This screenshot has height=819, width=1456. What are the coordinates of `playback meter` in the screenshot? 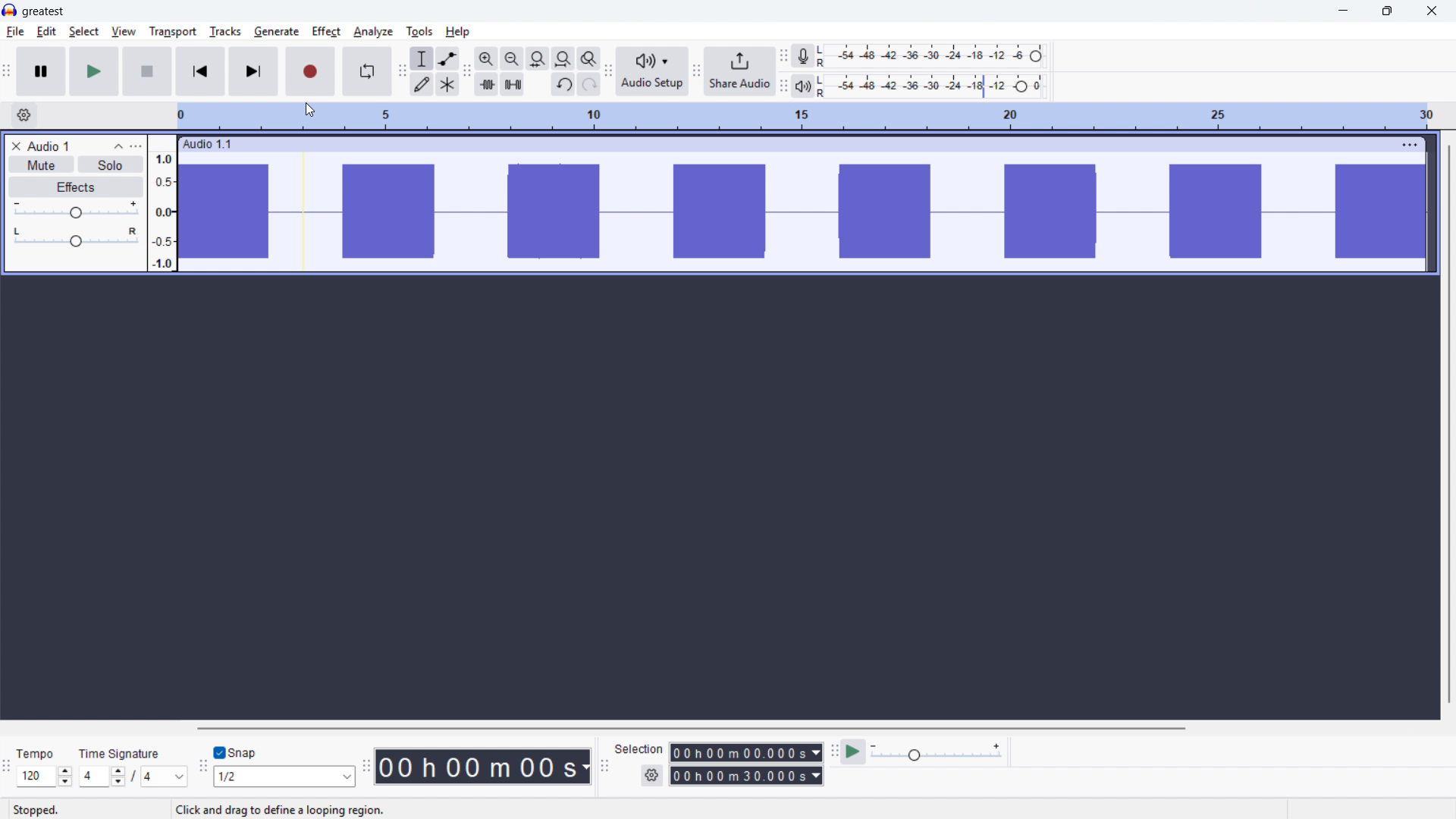 It's located at (802, 86).